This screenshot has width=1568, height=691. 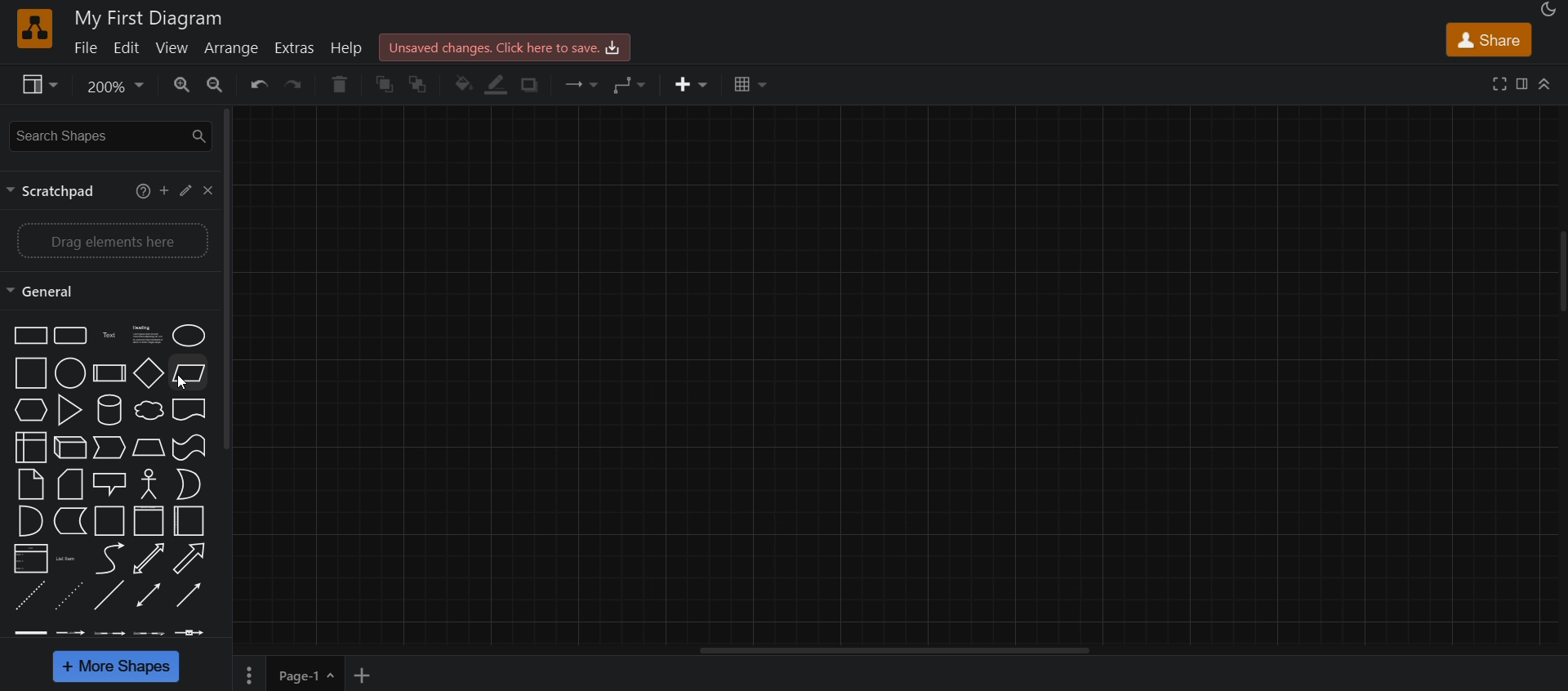 I want to click on to back, so click(x=426, y=83).